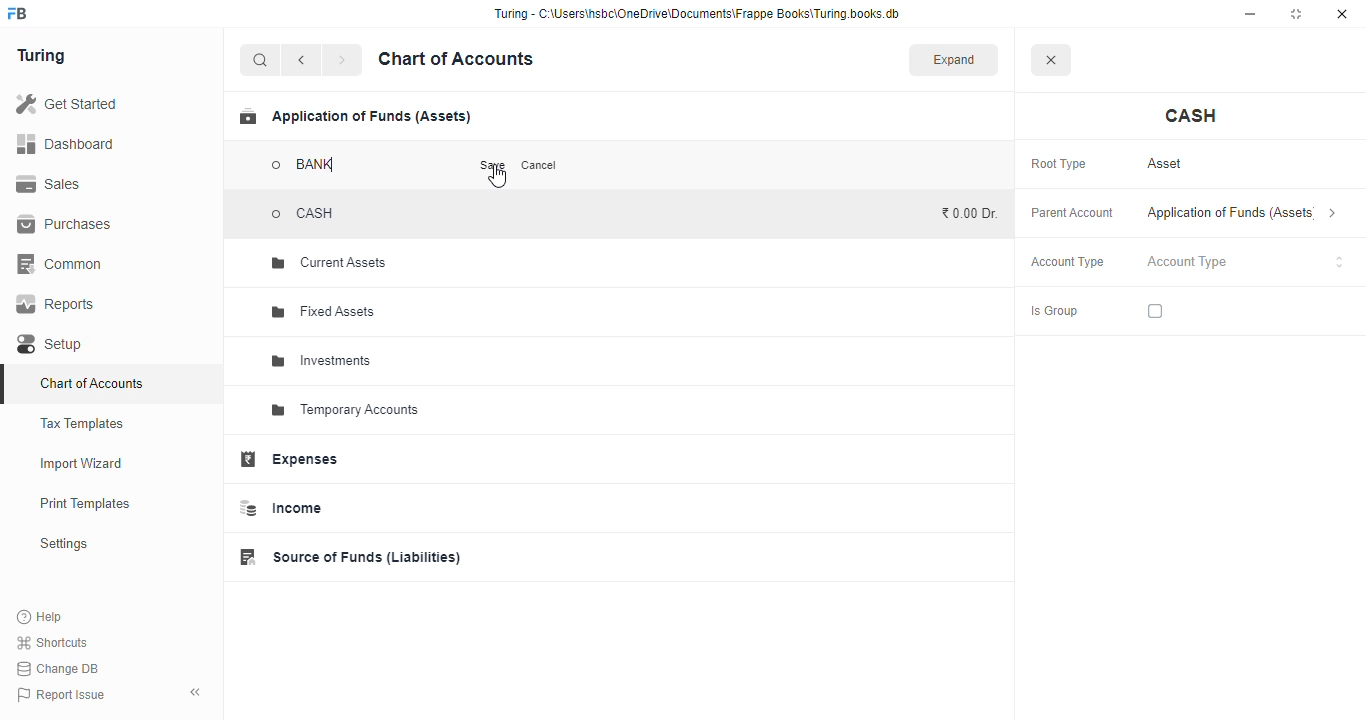  What do you see at coordinates (59, 668) in the screenshot?
I see `change DB` at bounding box center [59, 668].